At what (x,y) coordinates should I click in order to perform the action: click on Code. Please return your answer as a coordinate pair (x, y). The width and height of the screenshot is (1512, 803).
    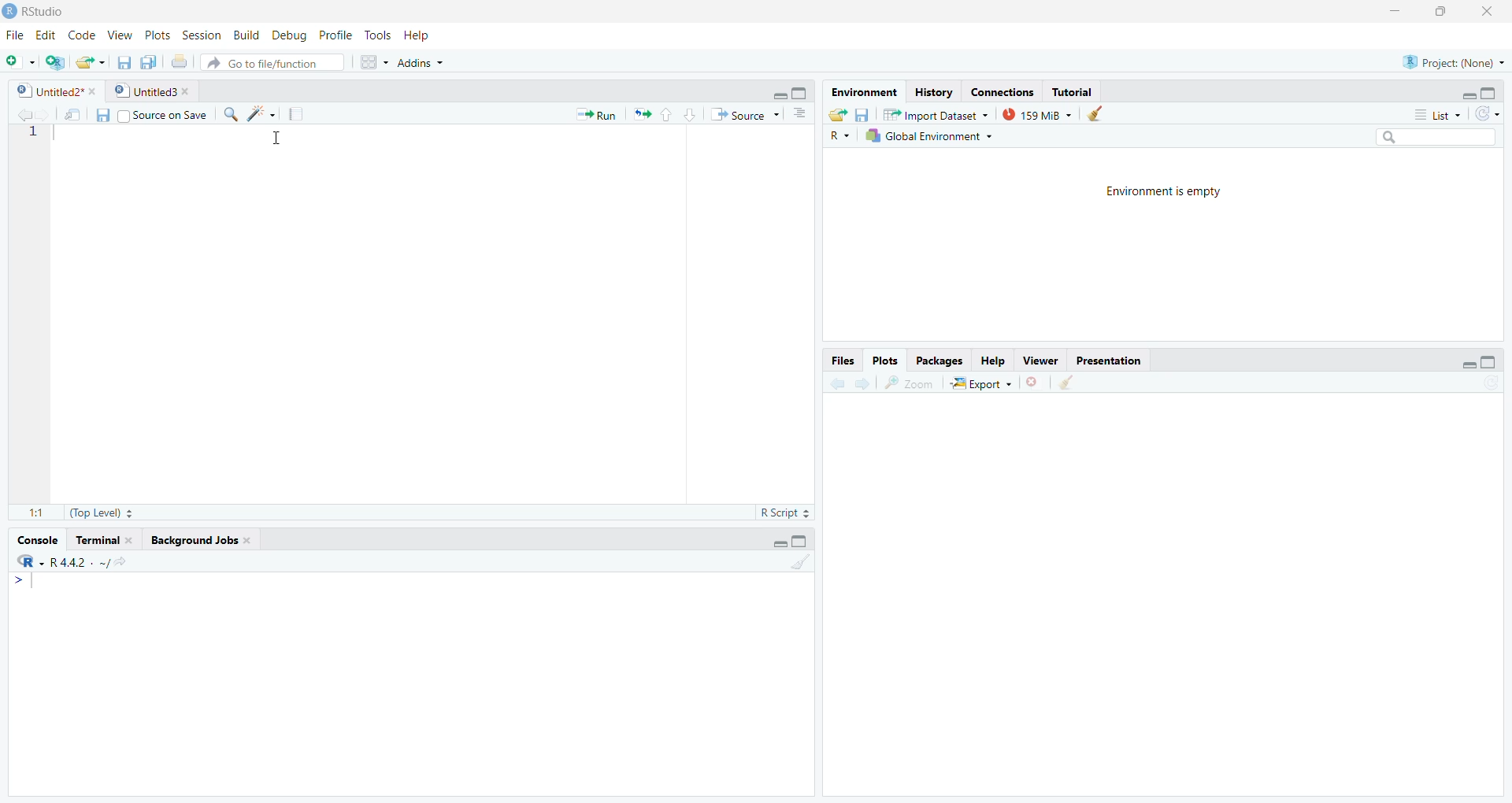
    Looking at the image, I should click on (83, 35).